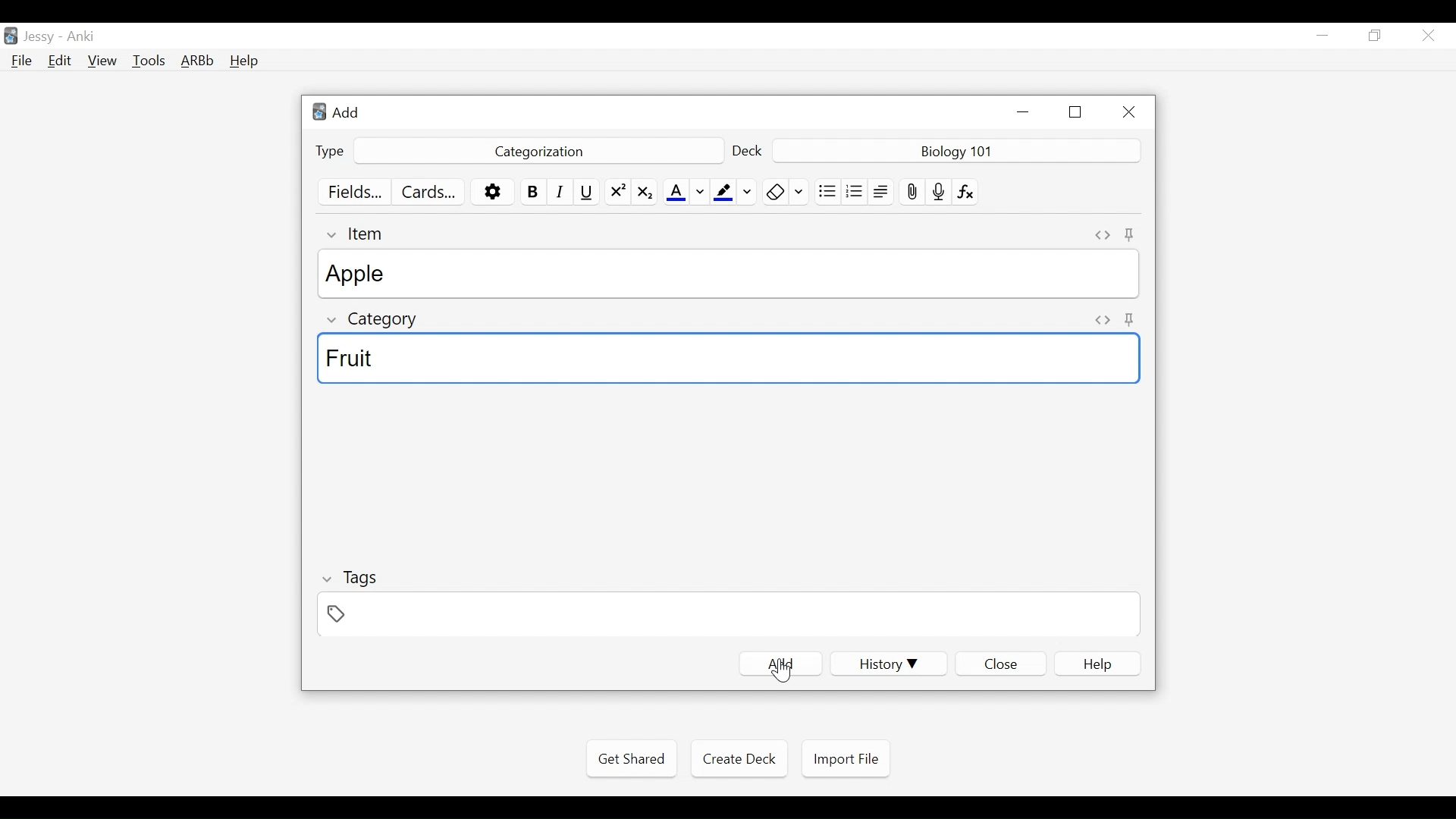 Image resolution: width=1456 pixels, height=819 pixels. Describe the element at coordinates (958, 152) in the screenshot. I see `Deck Nmae` at that location.